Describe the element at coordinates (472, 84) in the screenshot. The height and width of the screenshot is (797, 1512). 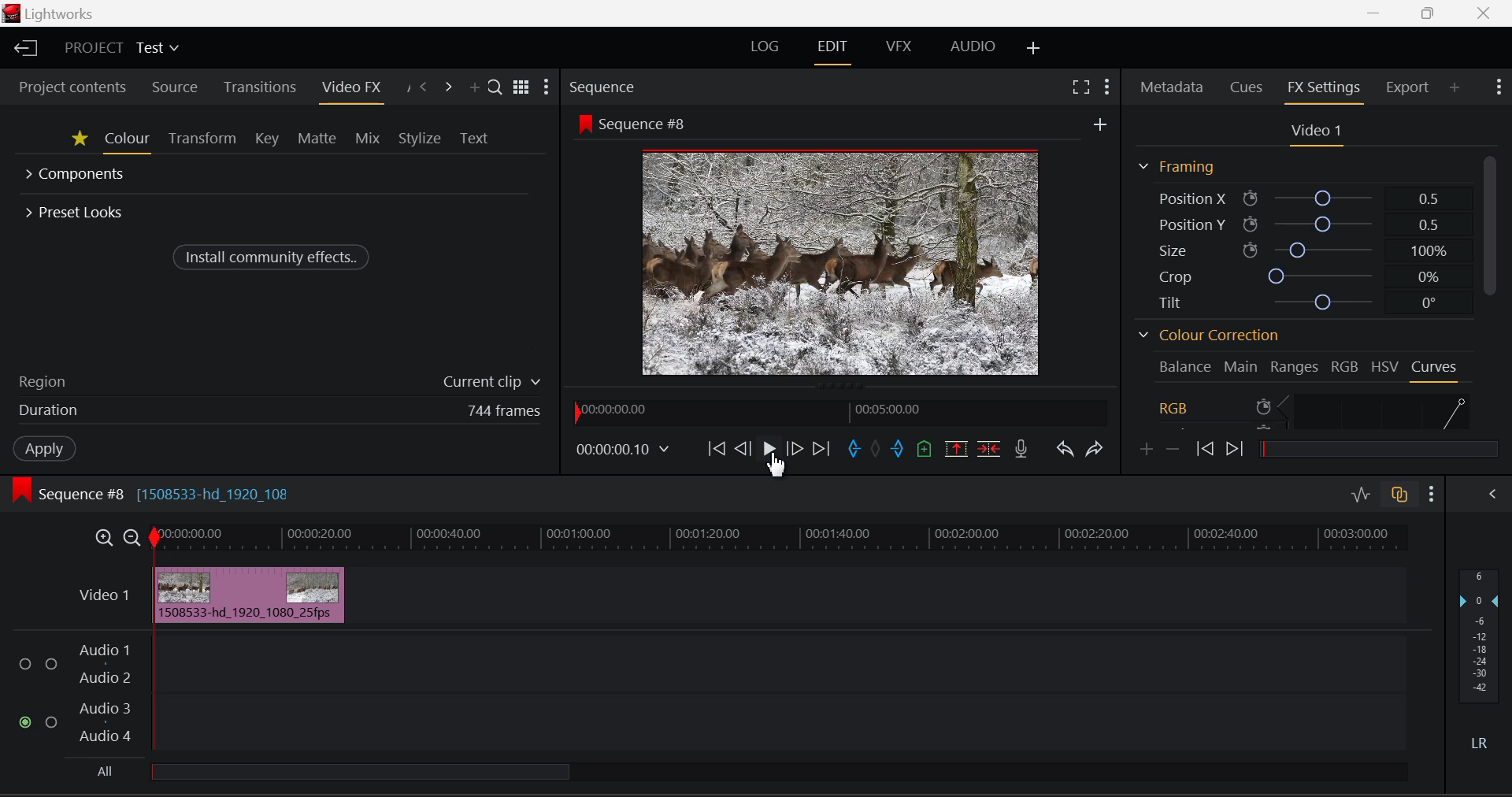
I see `Add Panel` at that location.